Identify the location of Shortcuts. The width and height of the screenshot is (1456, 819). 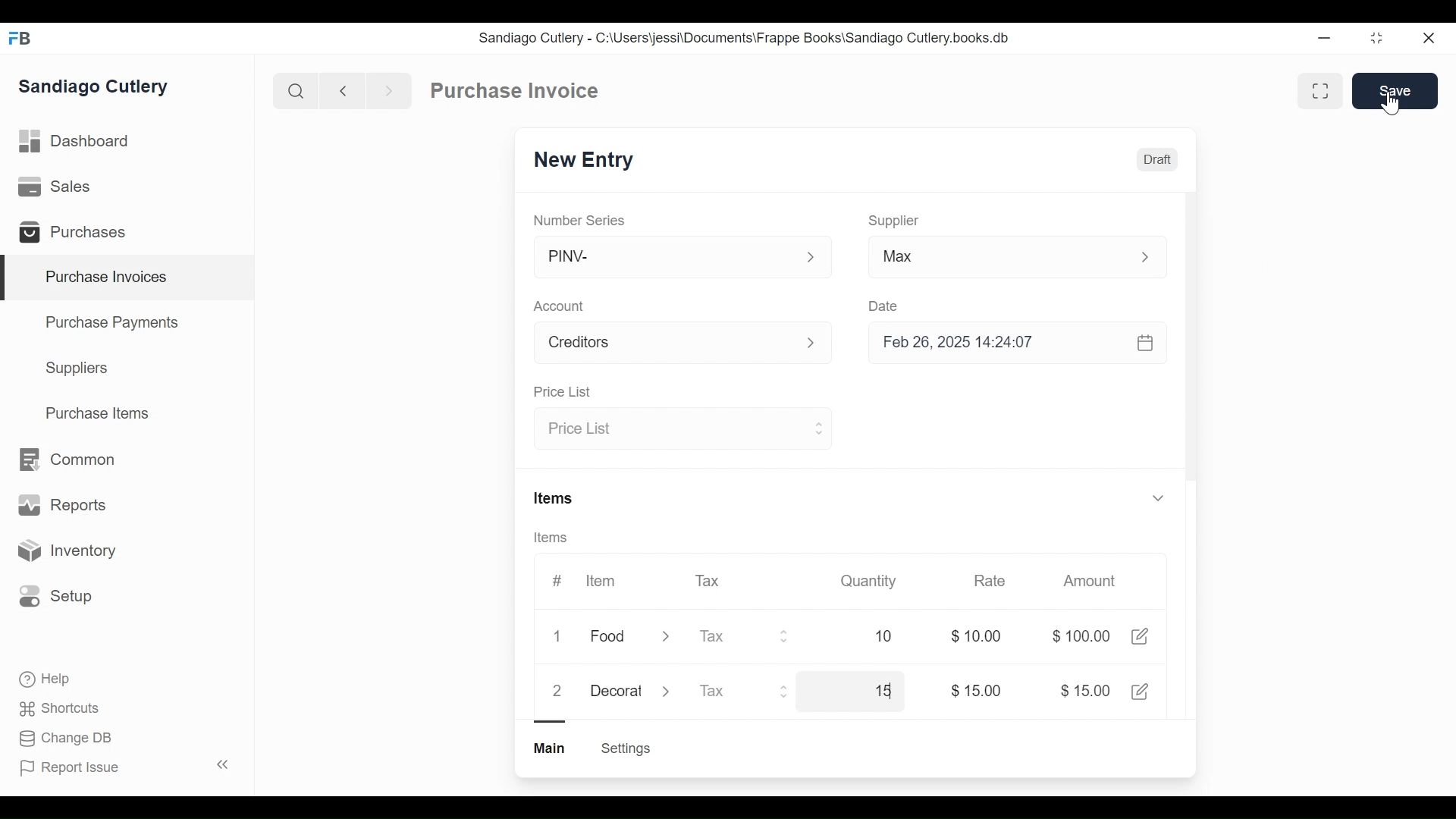
(61, 708).